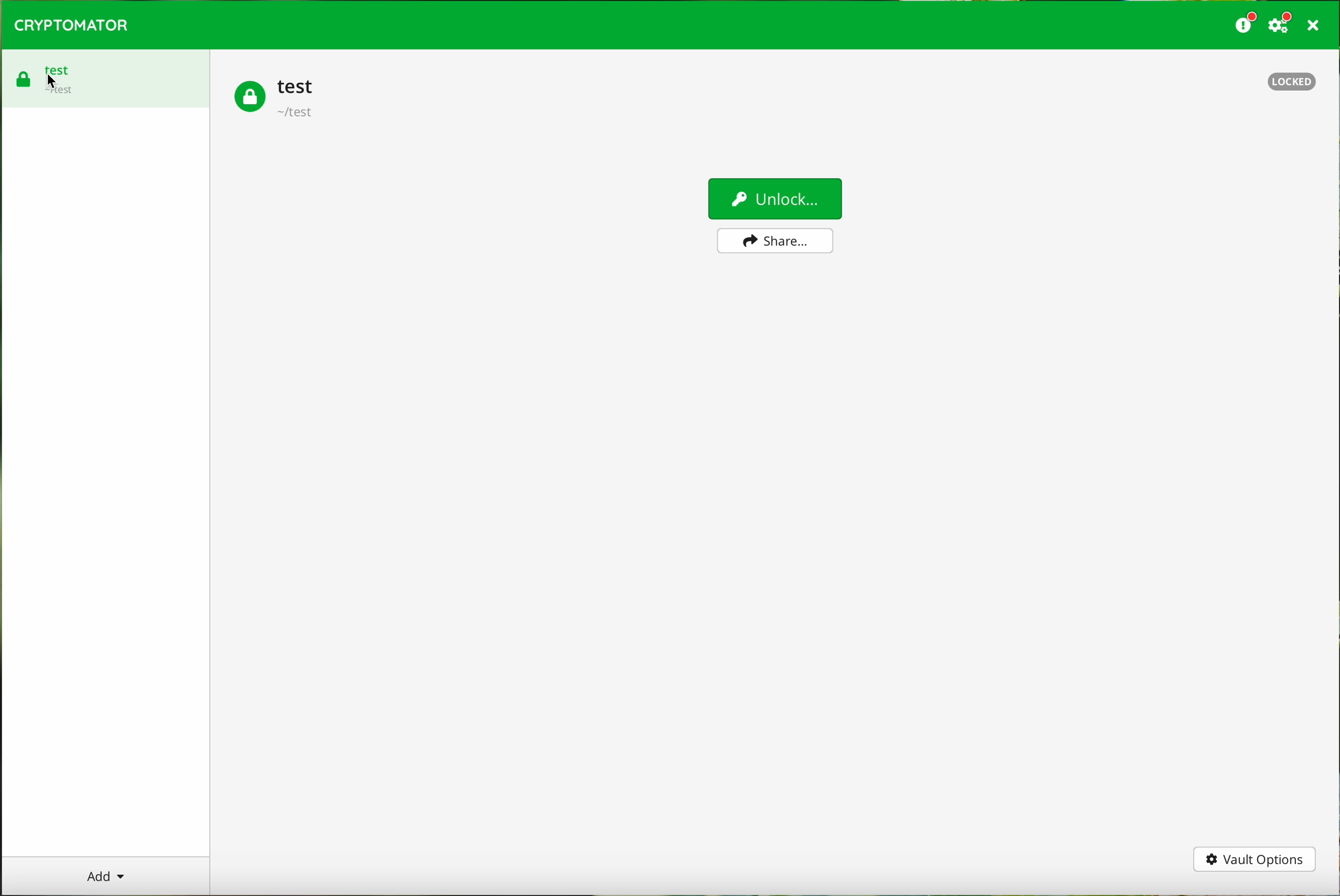  What do you see at coordinates (1317, 25) in the screenshot?
I see `close program` at bounding box center [1317, 25].